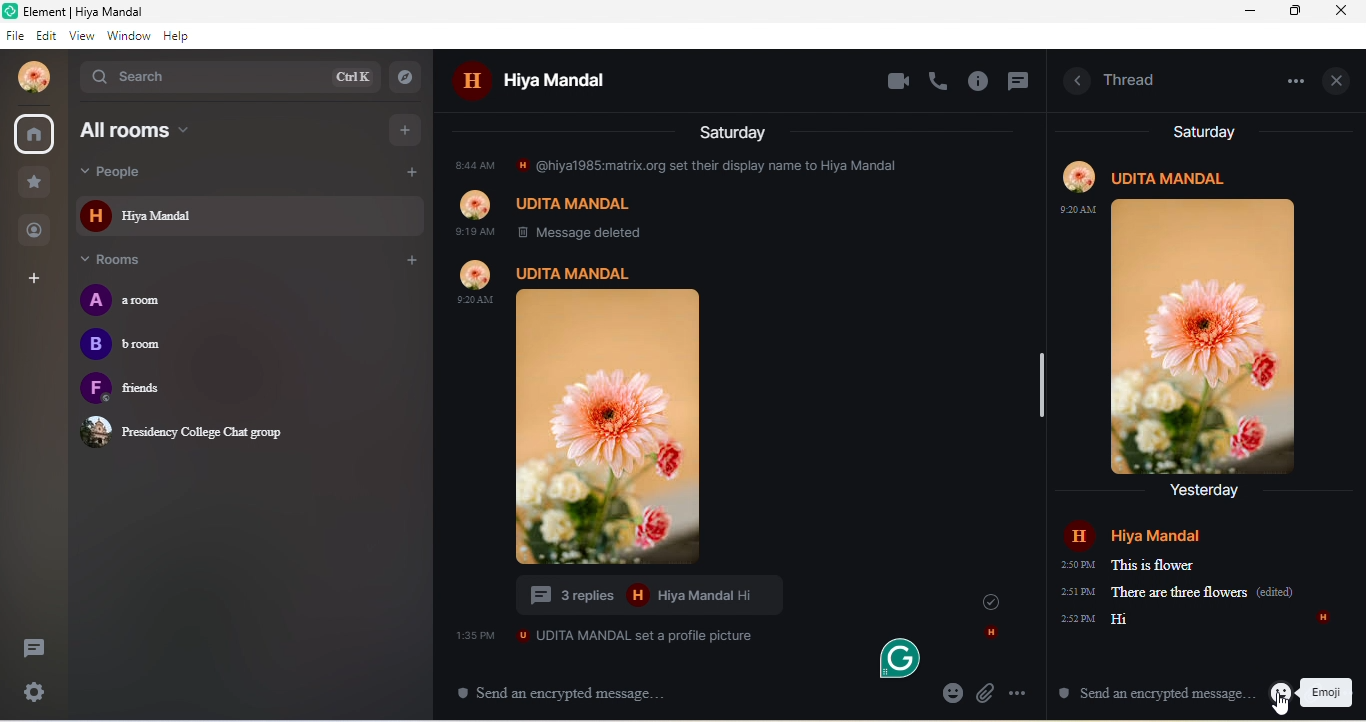 This screenshot has width=1366, height=722. I want to click on Add room, so click(412, 259).